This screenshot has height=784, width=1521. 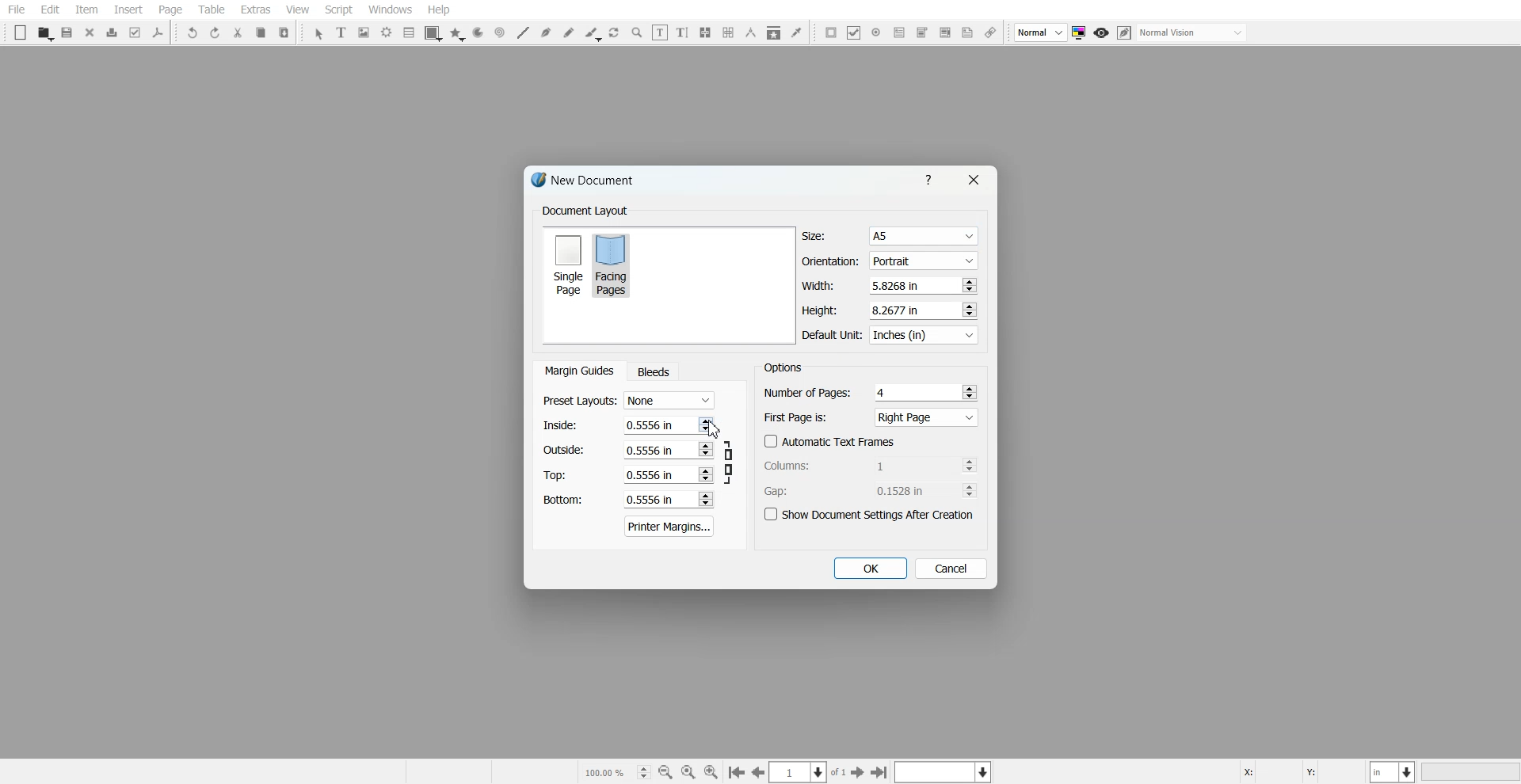 What do you see at coordinates (86, 10) in the screenshot?
I see `Item` at bounding box center [86, 10].